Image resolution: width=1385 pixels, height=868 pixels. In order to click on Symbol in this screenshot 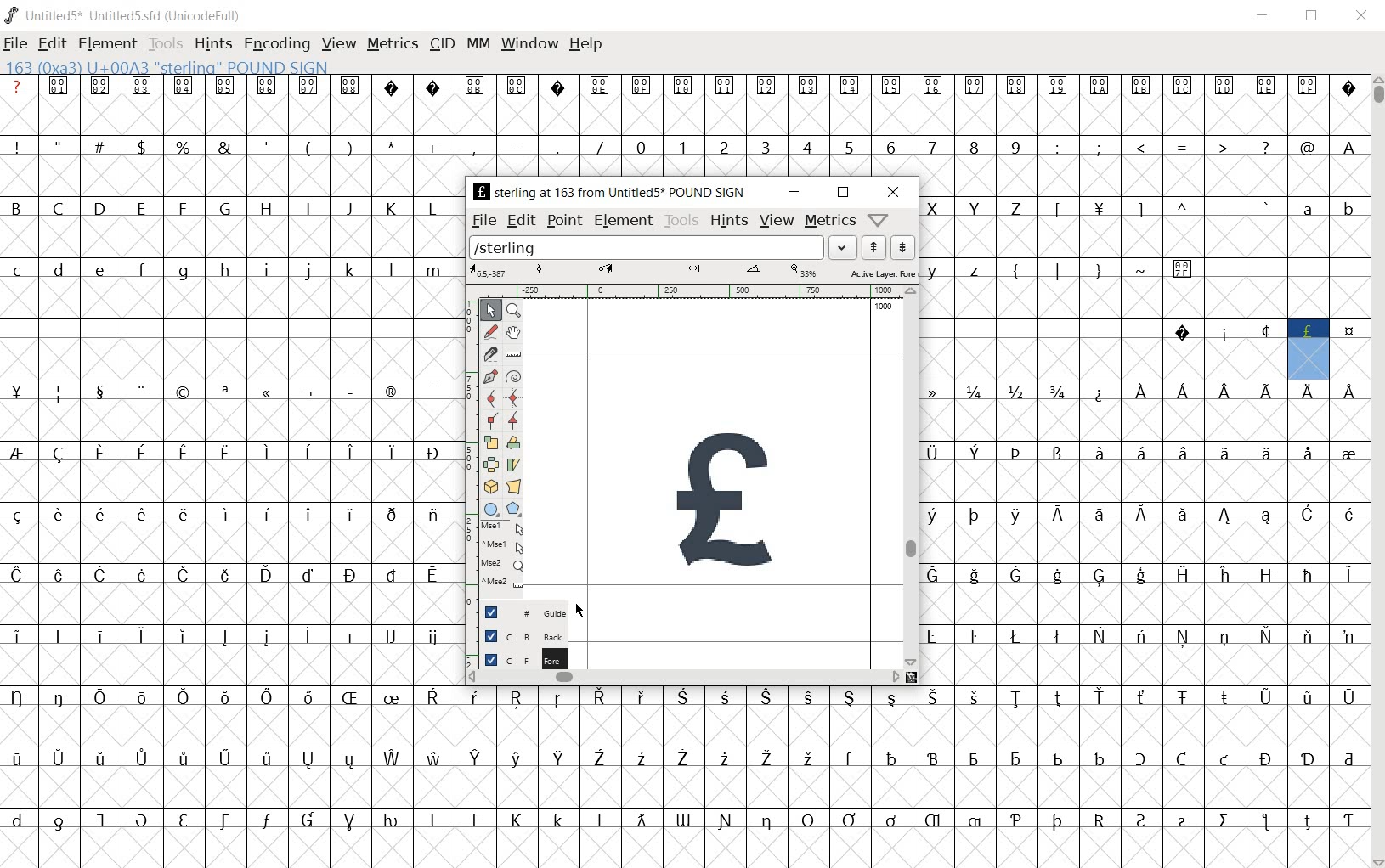, I will do `click(1139, 516)`.